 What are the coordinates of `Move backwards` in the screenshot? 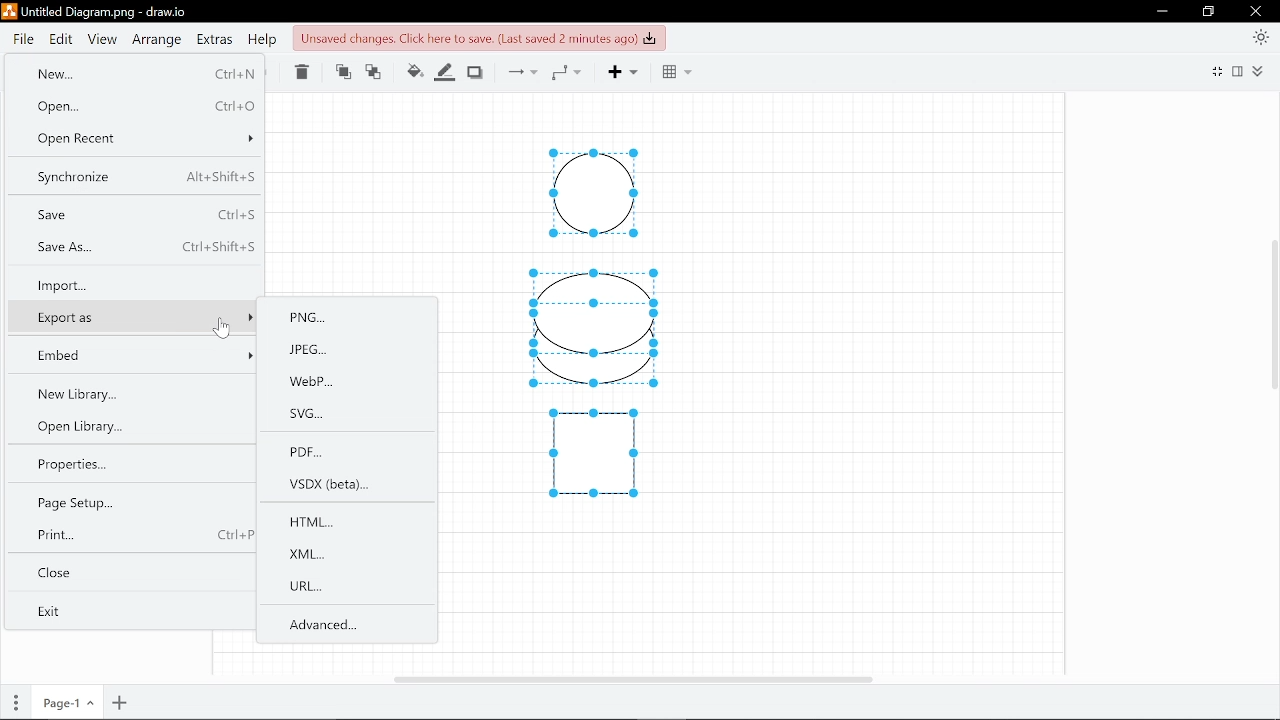 It's located at (376, 72).